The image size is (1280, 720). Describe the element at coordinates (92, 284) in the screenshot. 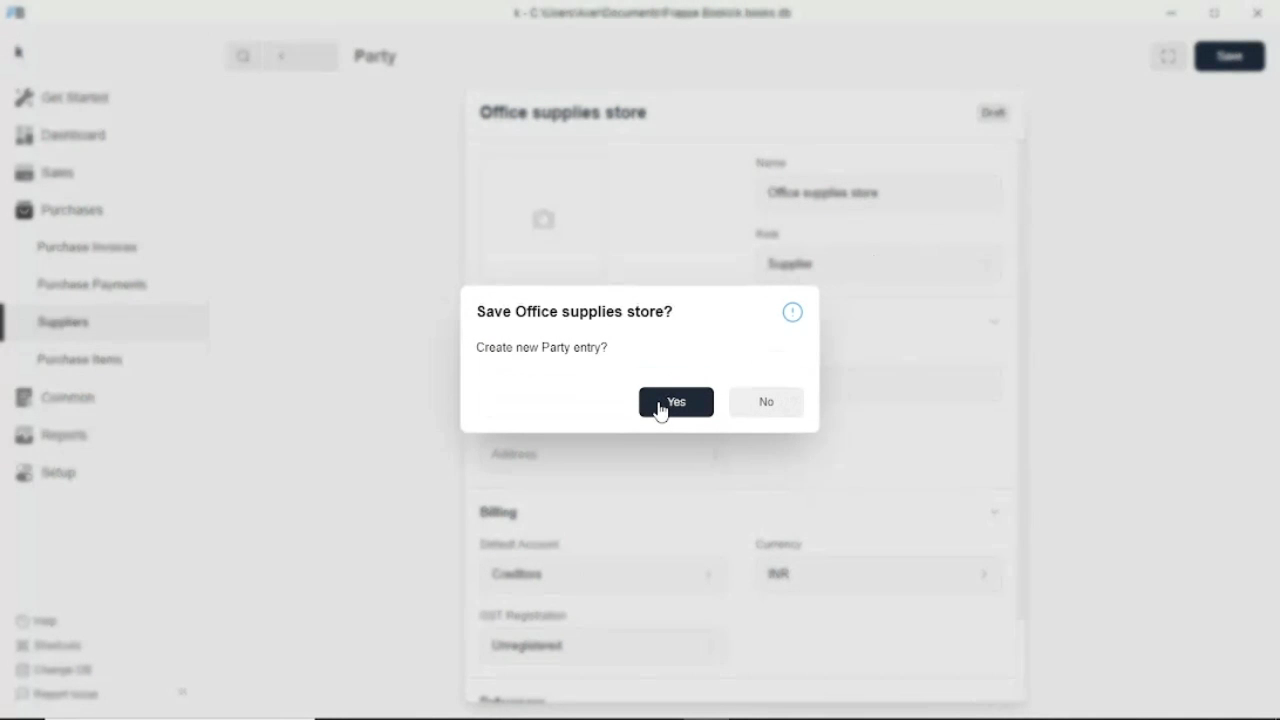

I see `Purchase payments` at that location.